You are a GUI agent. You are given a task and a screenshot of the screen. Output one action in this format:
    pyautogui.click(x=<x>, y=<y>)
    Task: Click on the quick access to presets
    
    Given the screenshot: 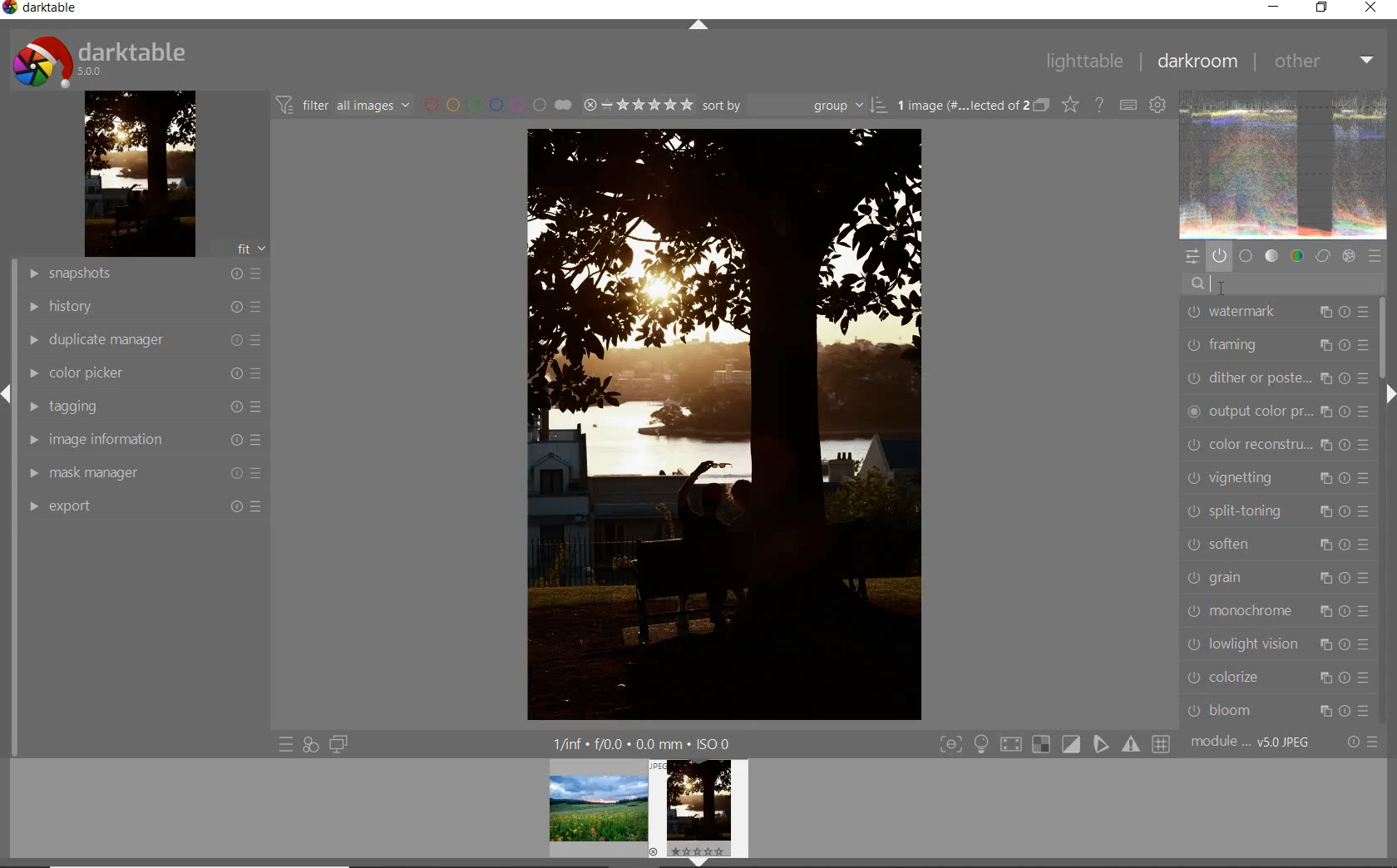 What is the action you would take?
    pyautogui.click(x=286, y=745)
    